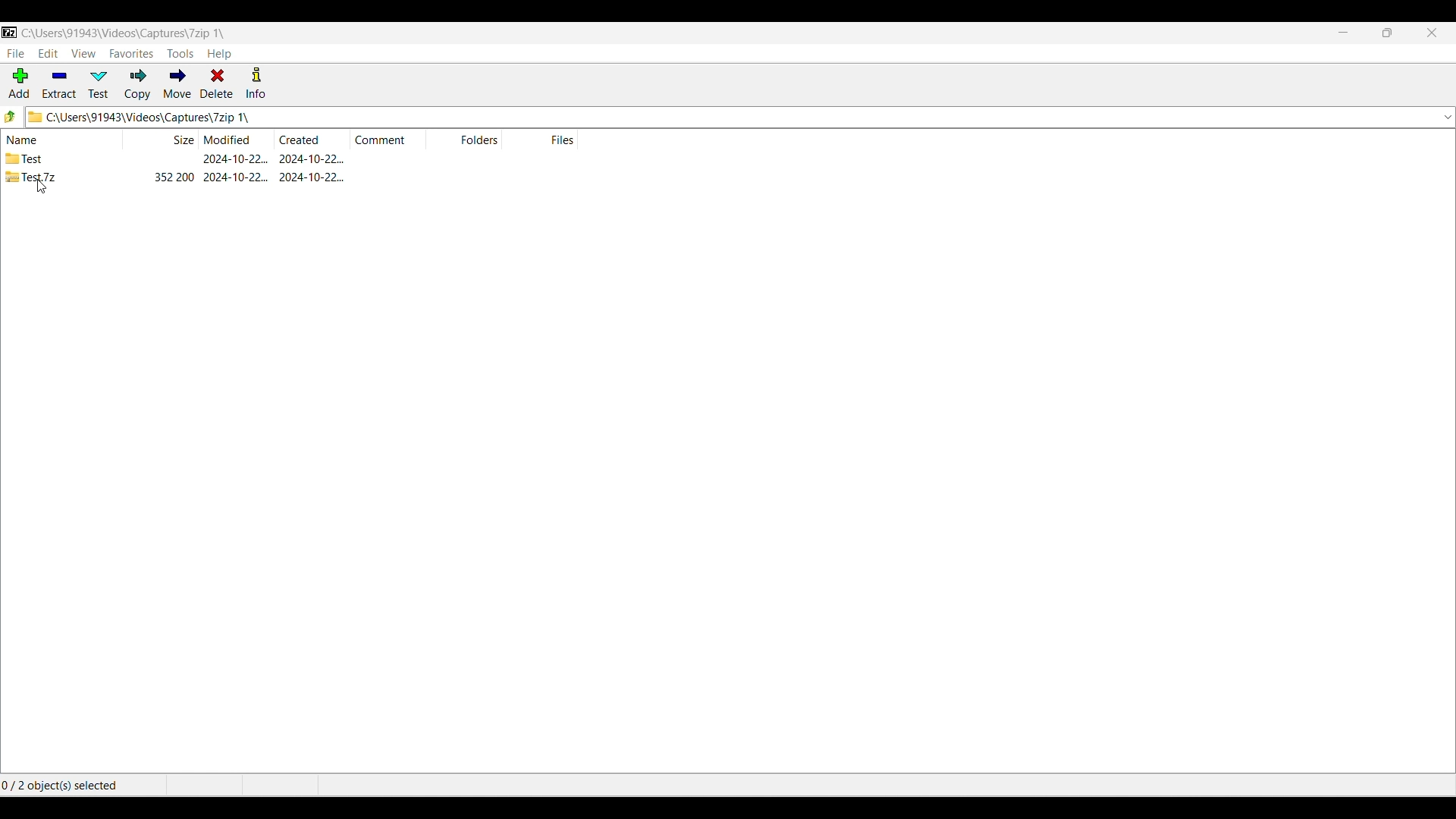  I want to click on Edit, so click(49, 53).